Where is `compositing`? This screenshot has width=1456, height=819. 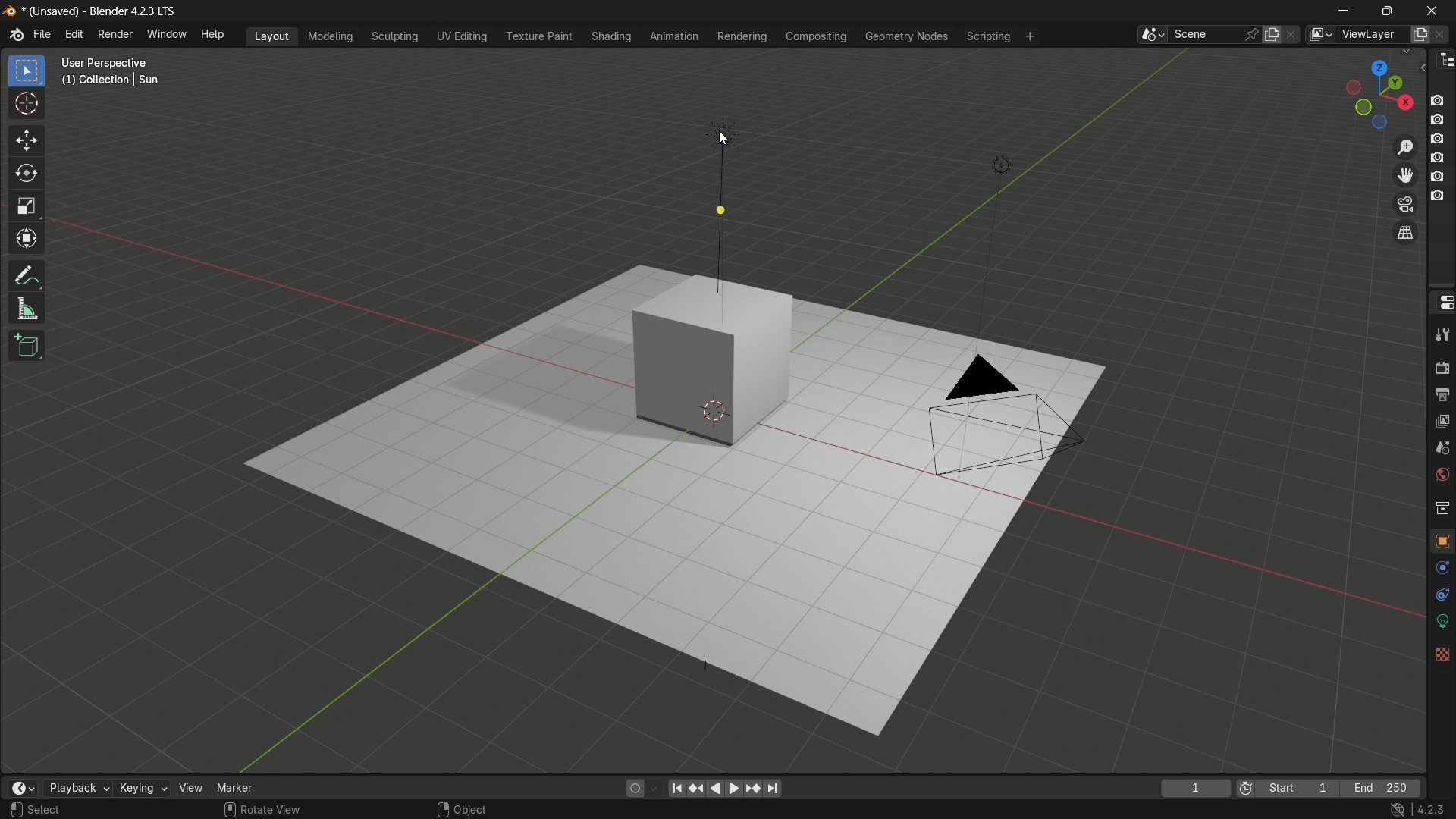
compositing is located at coordinates (818, 36).